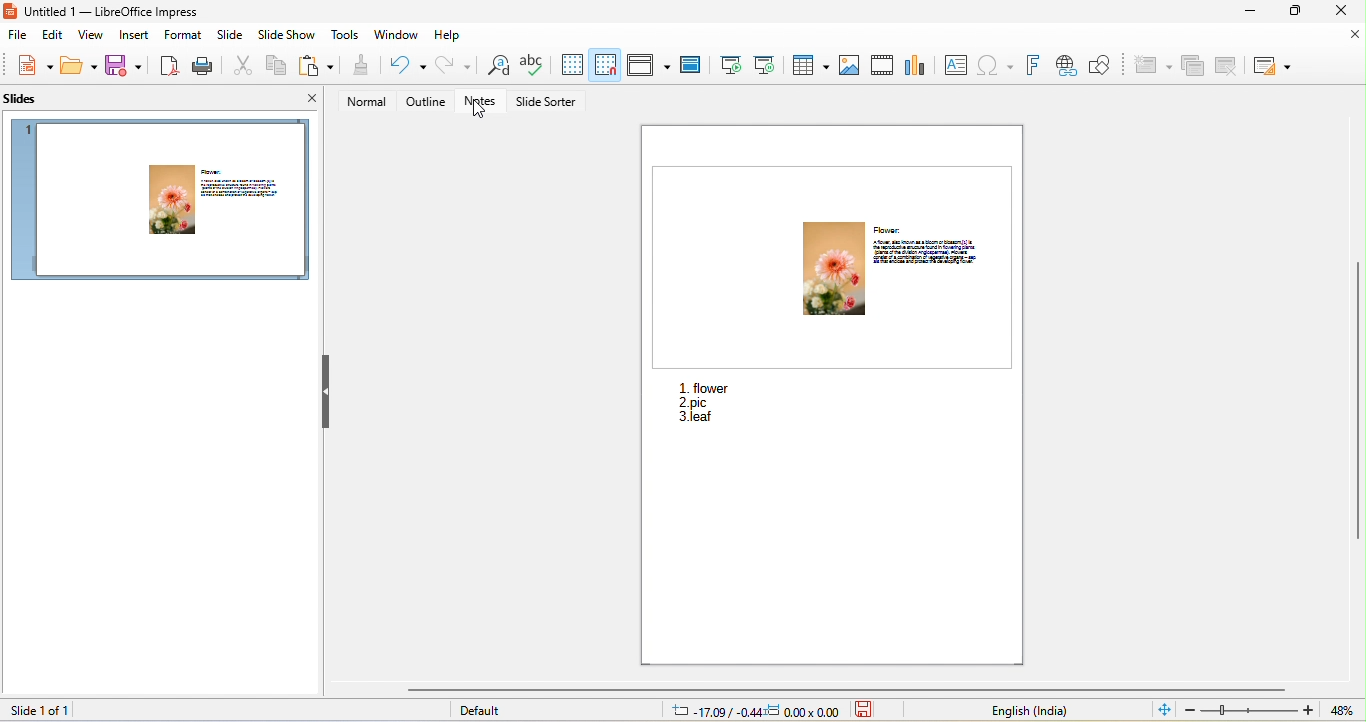  What do you see at coordinates (491, 710) in the screenshot?
I see `default` at bounding box center [491, 710].